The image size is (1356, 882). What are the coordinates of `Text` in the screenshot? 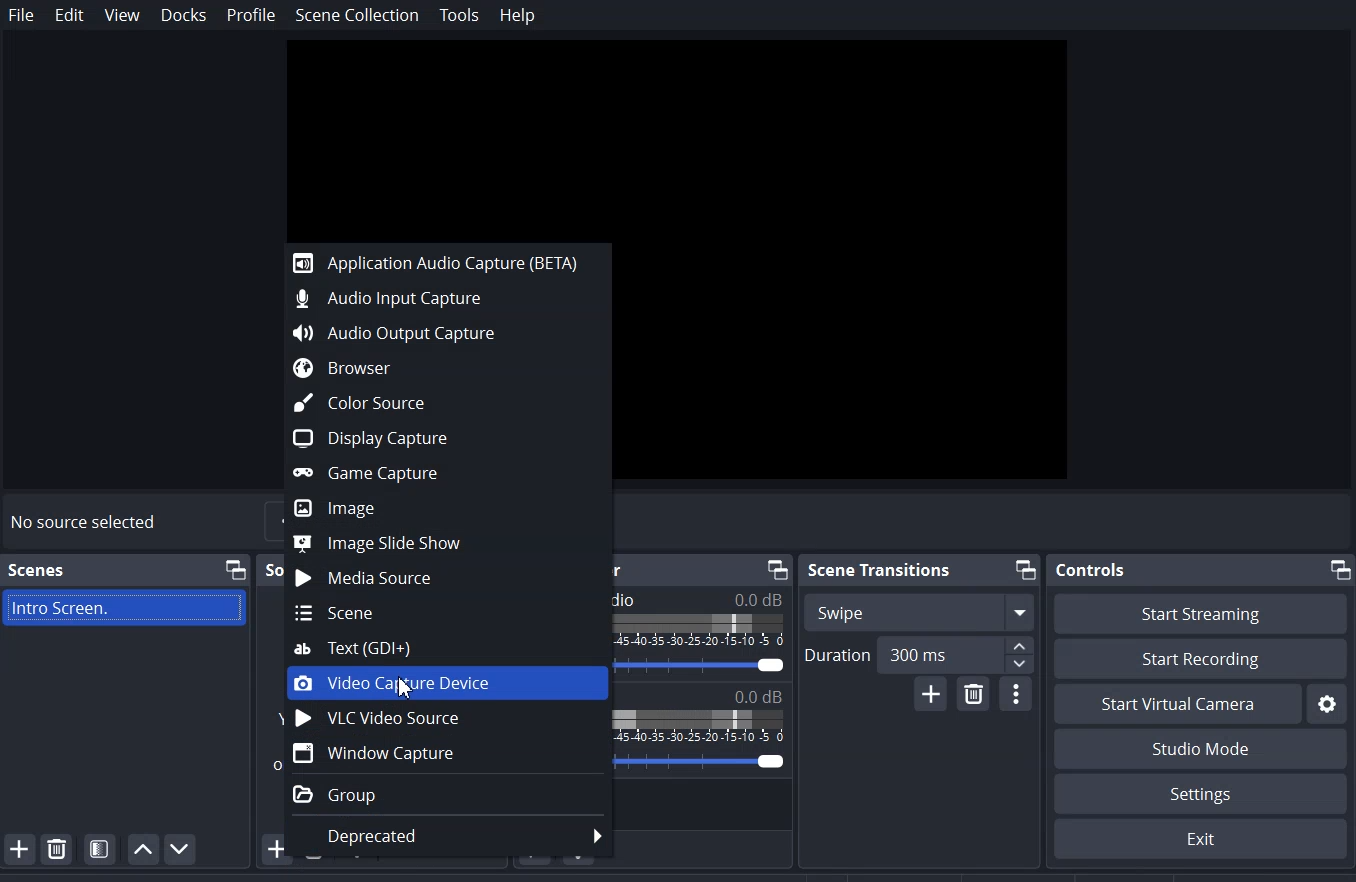 It's located at (699, 666).